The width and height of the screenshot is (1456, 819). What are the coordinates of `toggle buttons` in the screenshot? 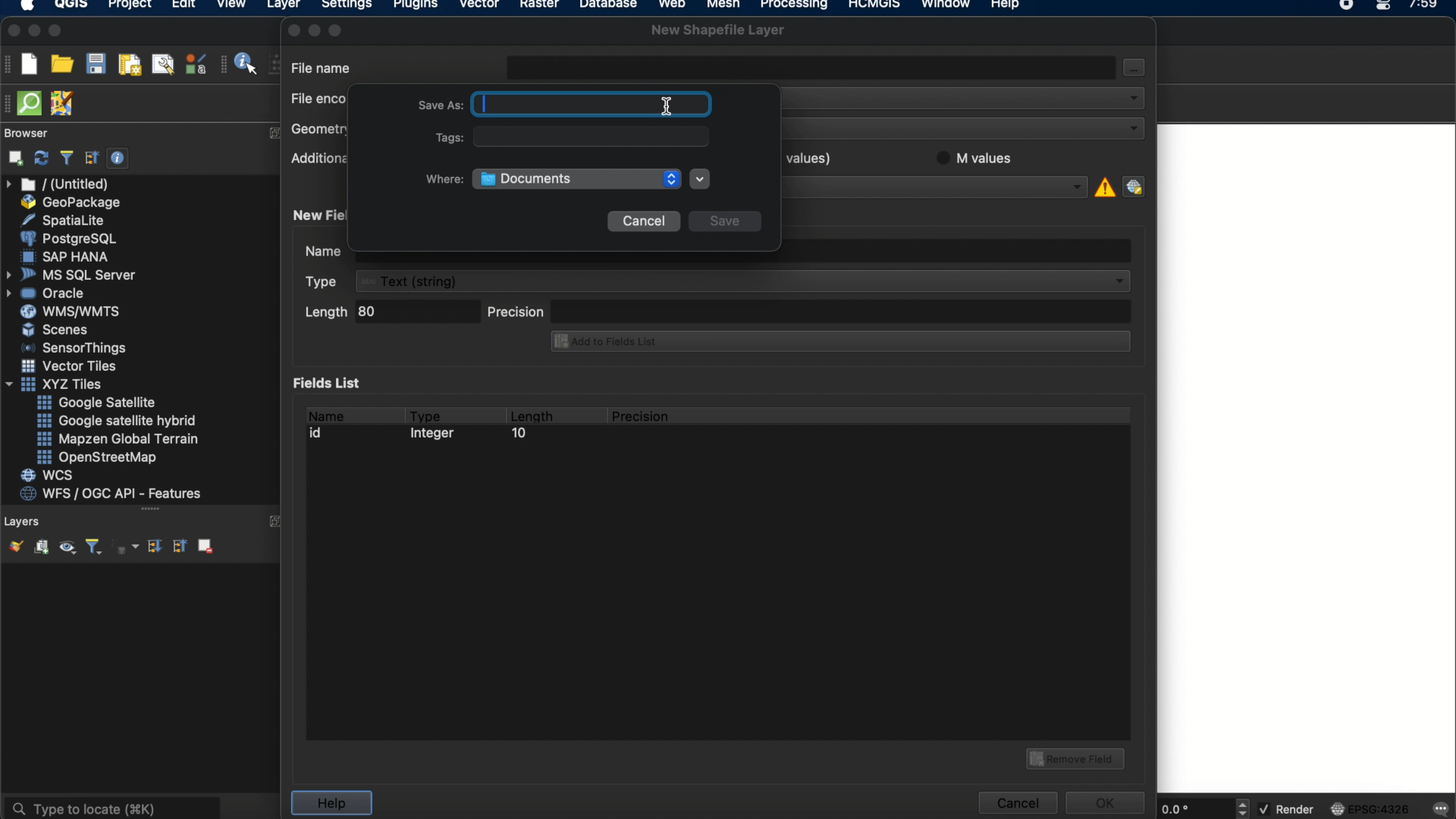 It's located at (1244, 808).